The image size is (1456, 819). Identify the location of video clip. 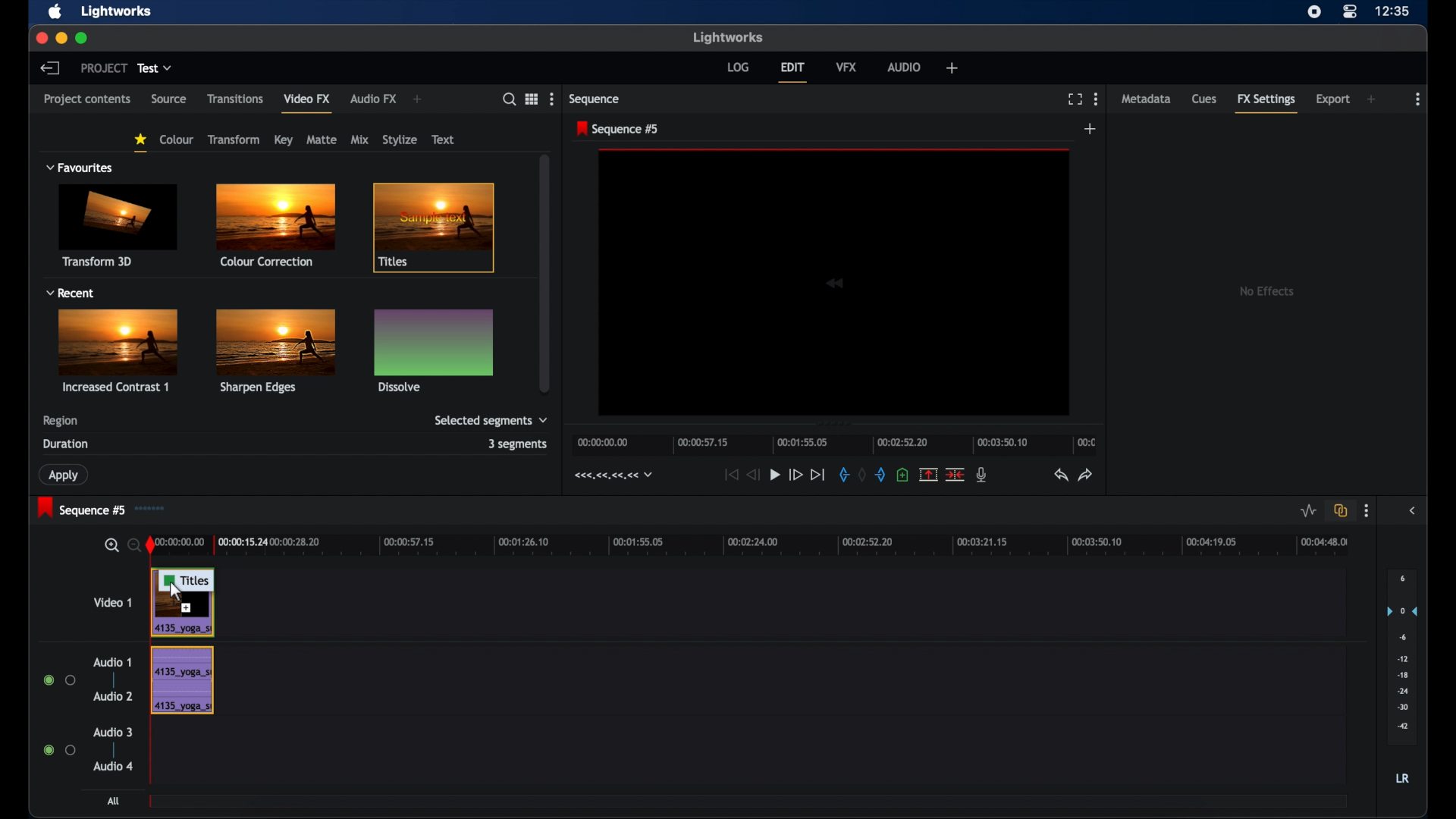
(186, 617).